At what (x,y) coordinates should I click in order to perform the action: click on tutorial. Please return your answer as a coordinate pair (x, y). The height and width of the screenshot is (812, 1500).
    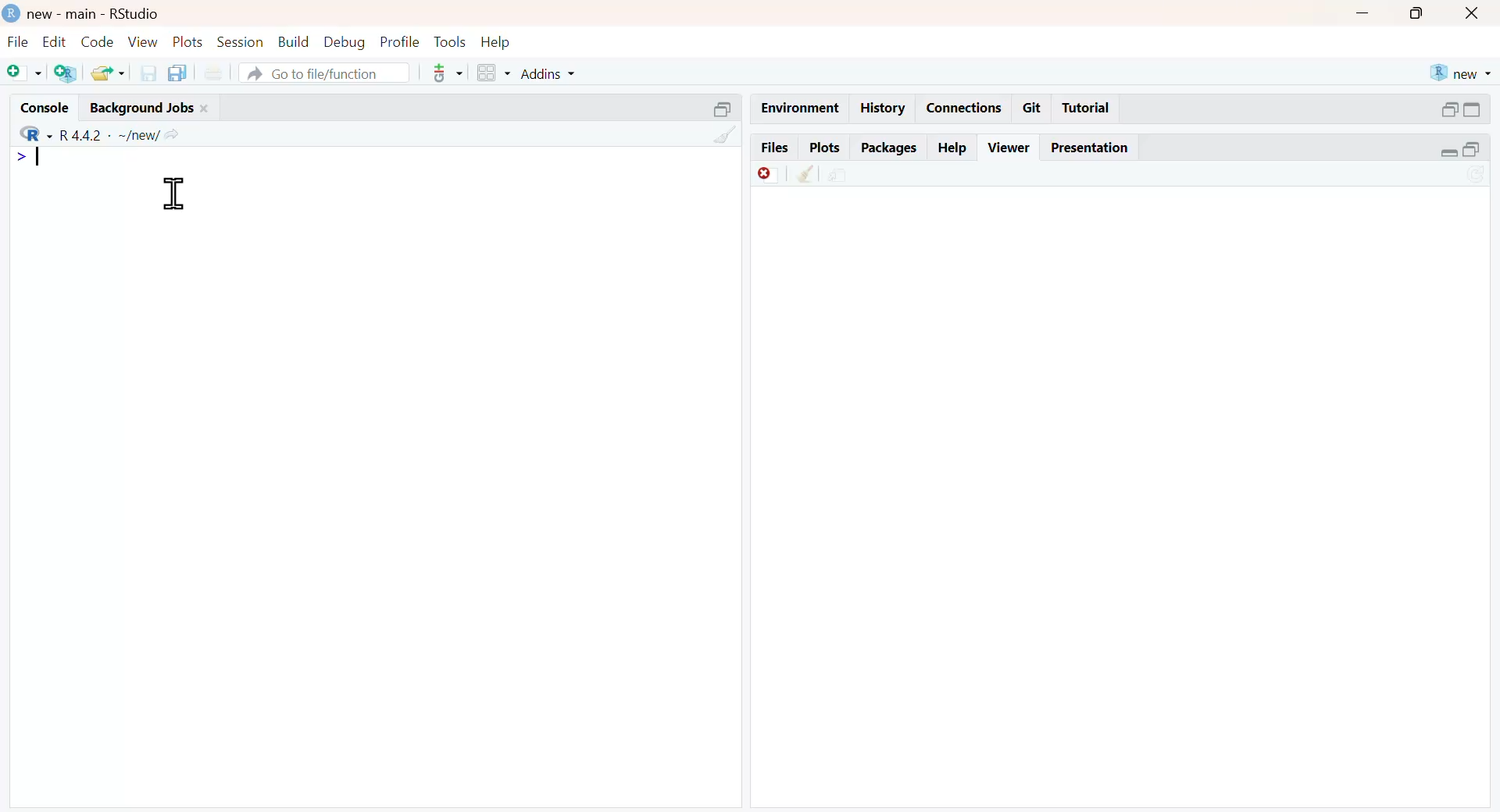
    Looking at the image, I should click on (1087, 109).